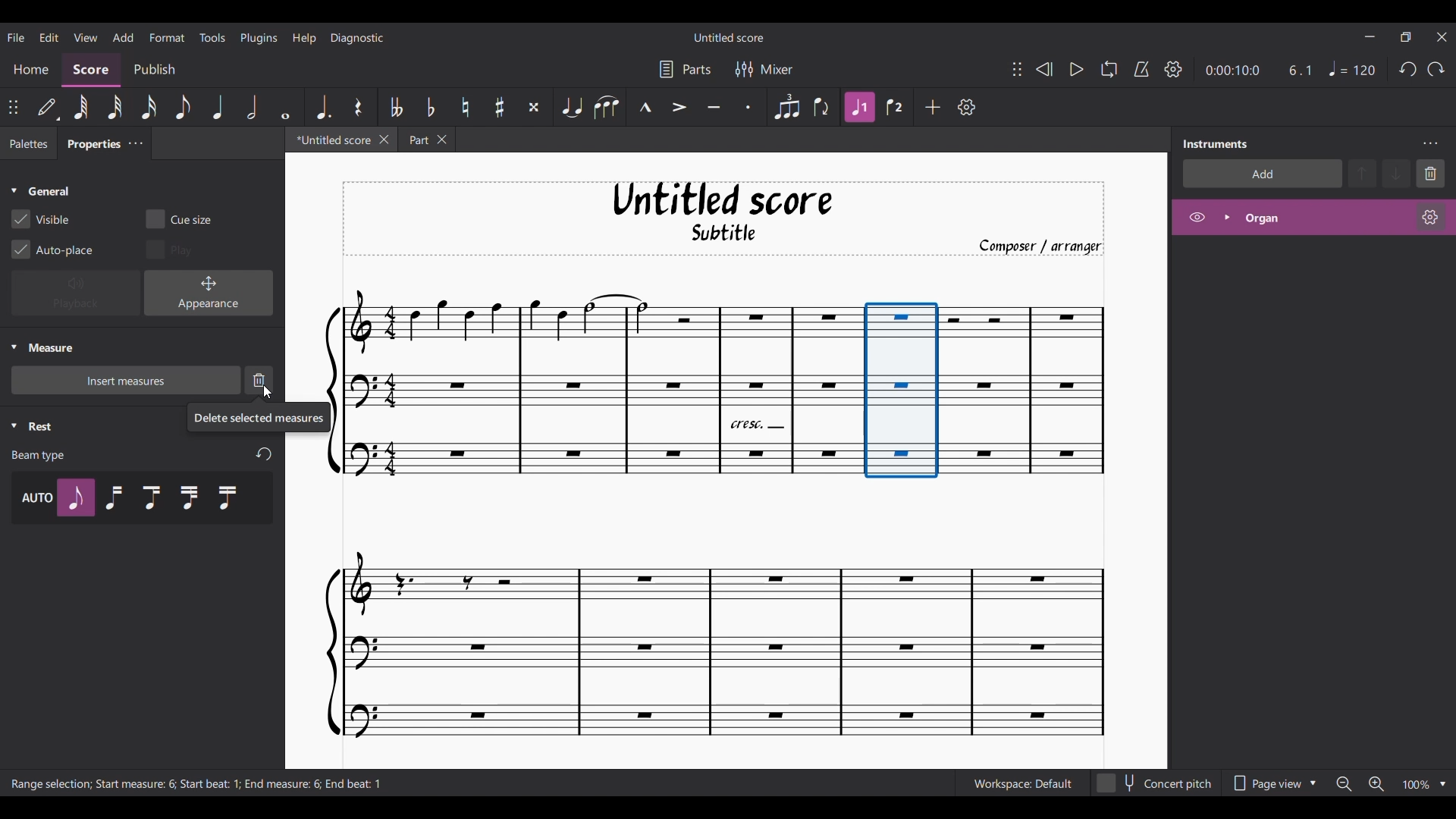  What do you see at coordinates (1416, 785) in the screenshot?
I see `Zoom factor` at bounding box center [1416, 785].